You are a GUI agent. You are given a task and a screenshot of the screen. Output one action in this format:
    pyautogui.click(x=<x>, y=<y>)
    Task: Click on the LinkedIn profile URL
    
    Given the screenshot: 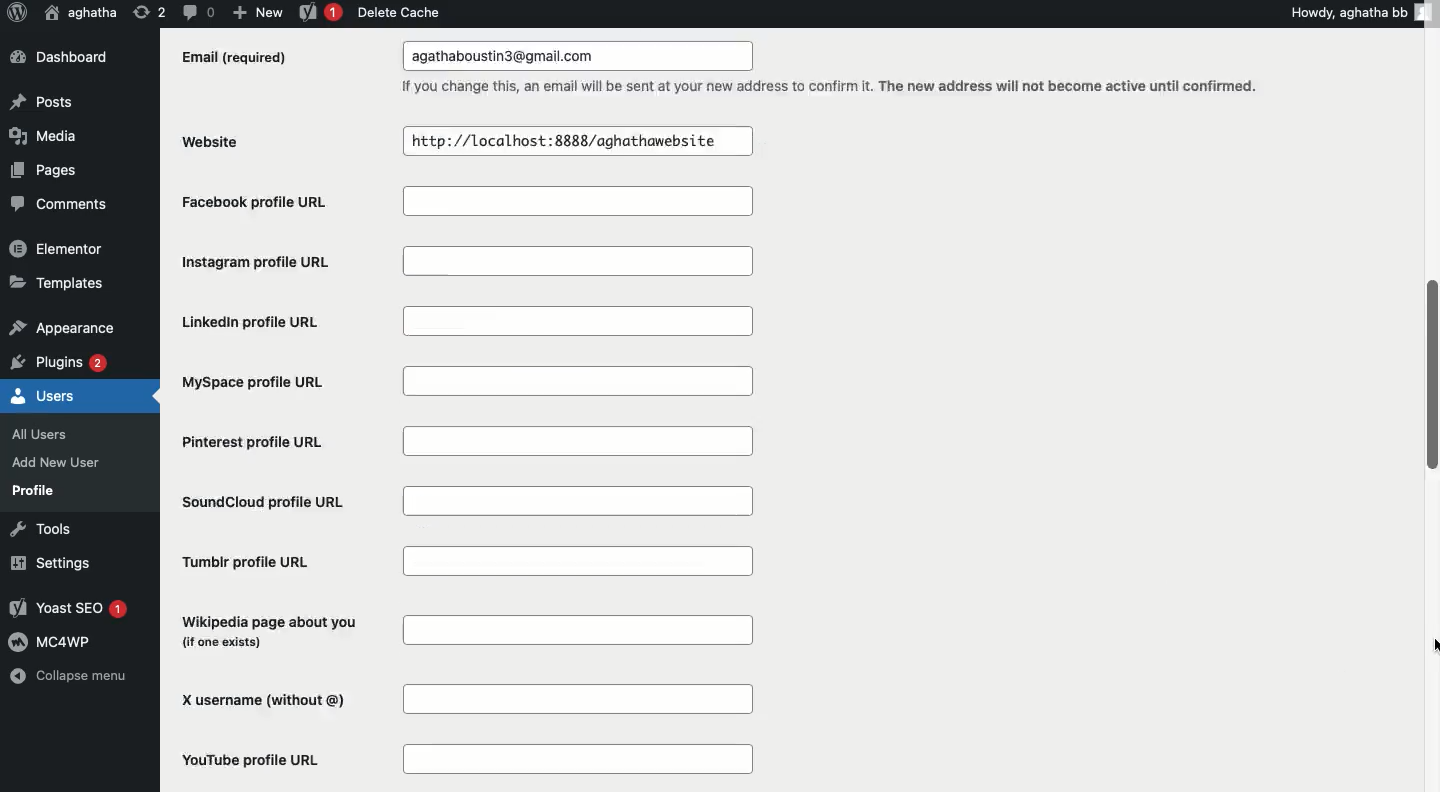 What is the action you would take?
    pyautogui.click(x=467, y=321)
    